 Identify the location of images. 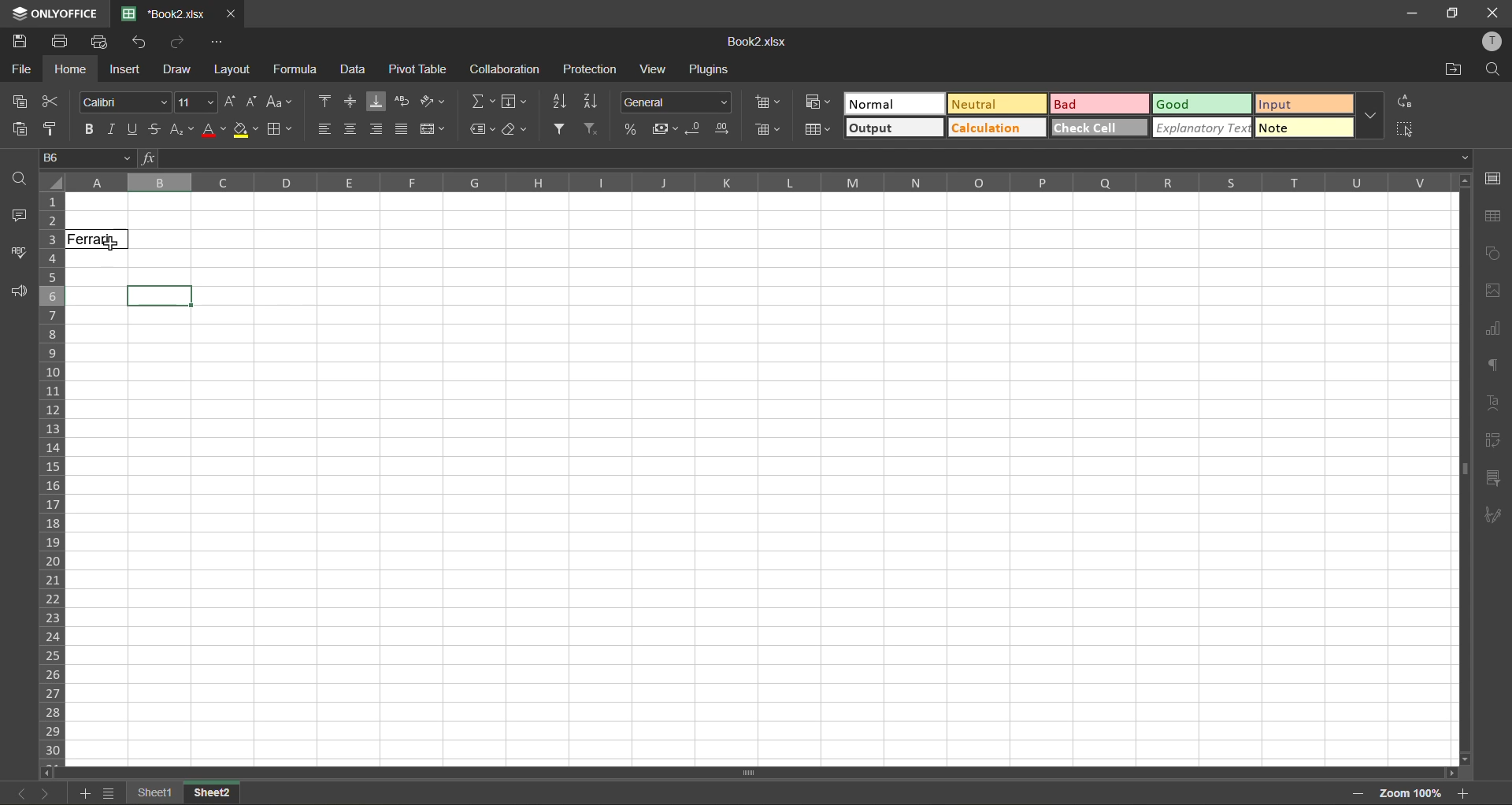
(1490, 291).